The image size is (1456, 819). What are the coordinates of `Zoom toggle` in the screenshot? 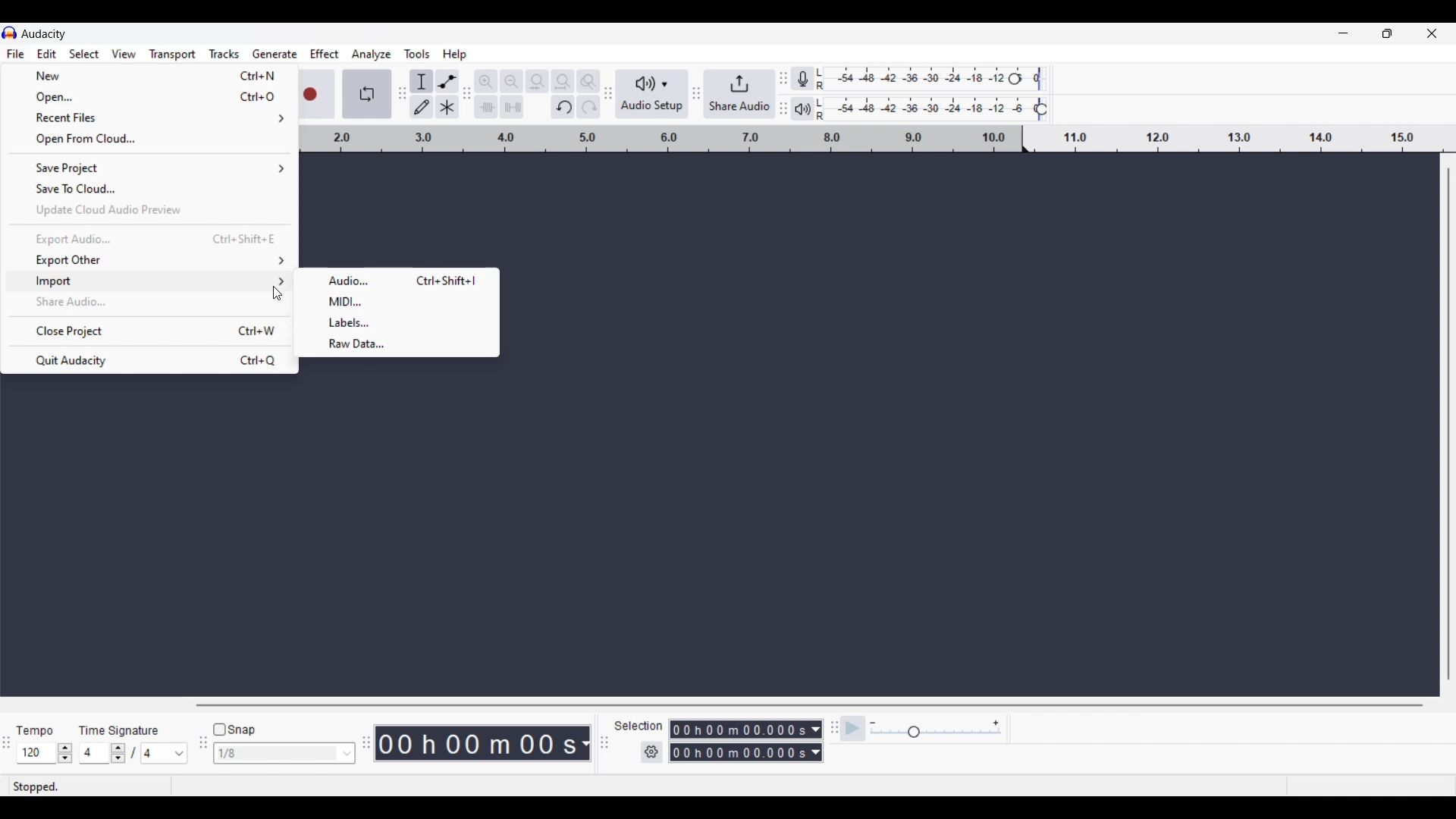 It's located at (589, 79).